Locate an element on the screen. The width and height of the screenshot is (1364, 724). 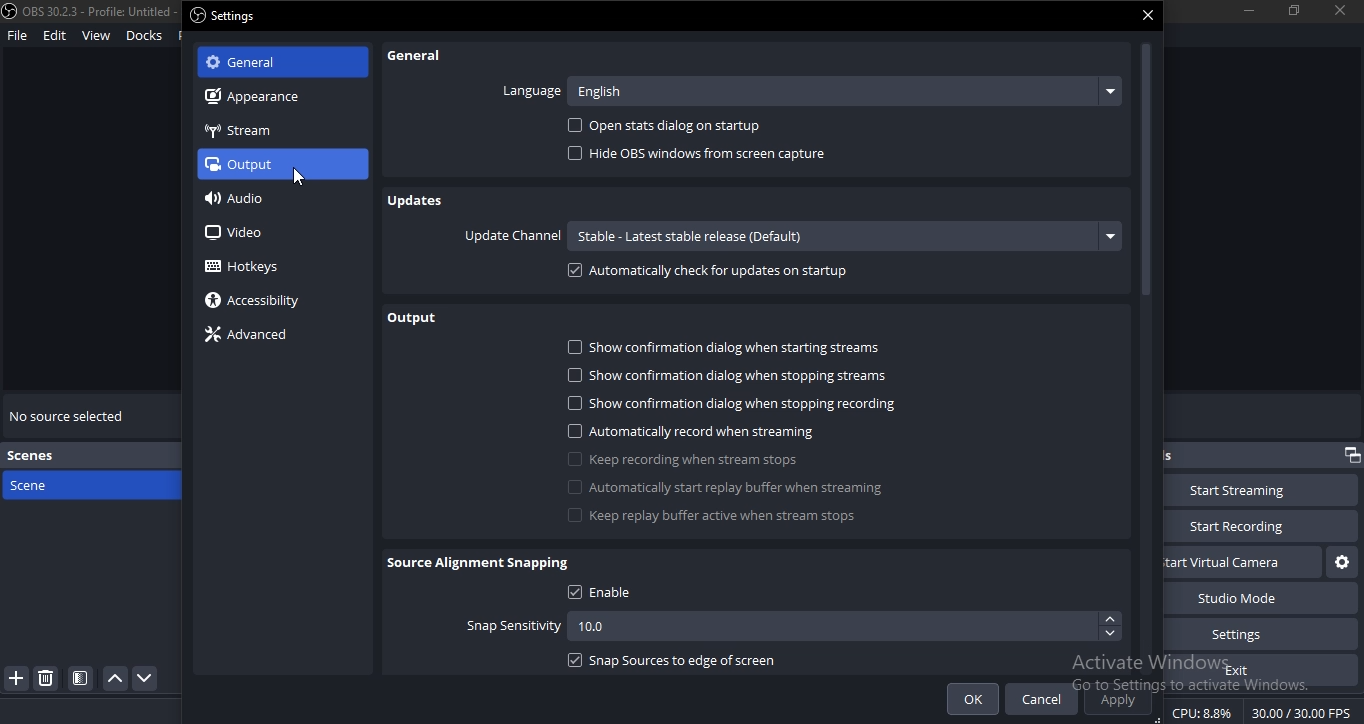
close is located at coordinates (1341, 11).